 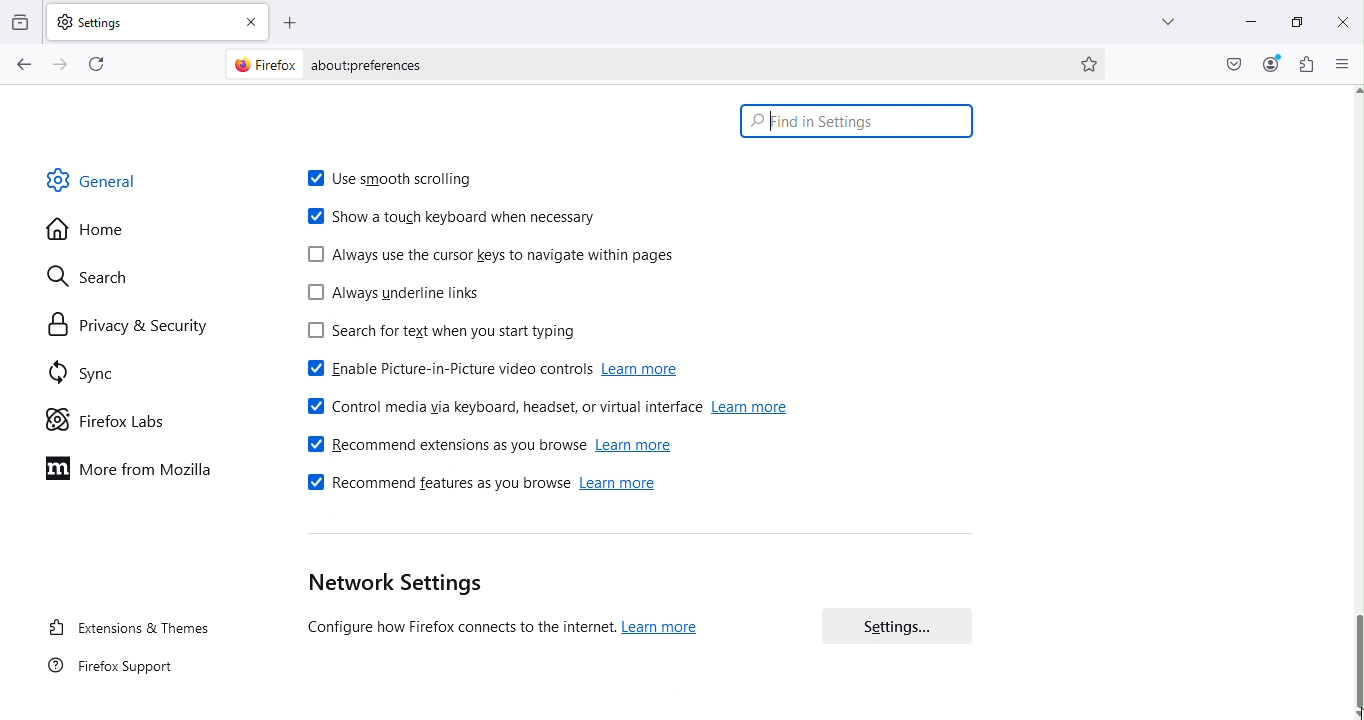 I want to click on Extensions and themes, so click(x=129, y=630).